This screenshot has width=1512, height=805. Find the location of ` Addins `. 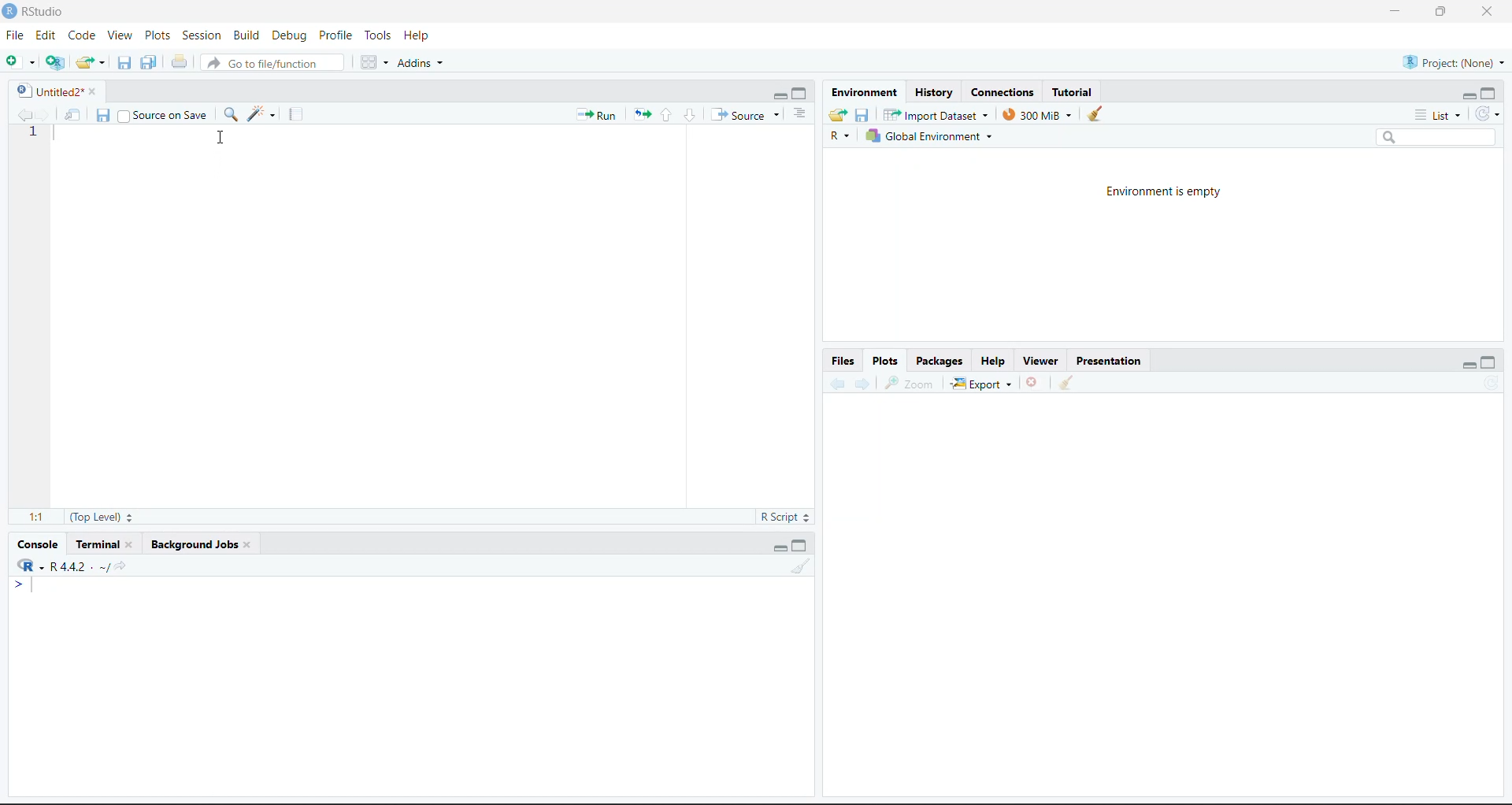

 Addins  is located at coordinates (420, 63).